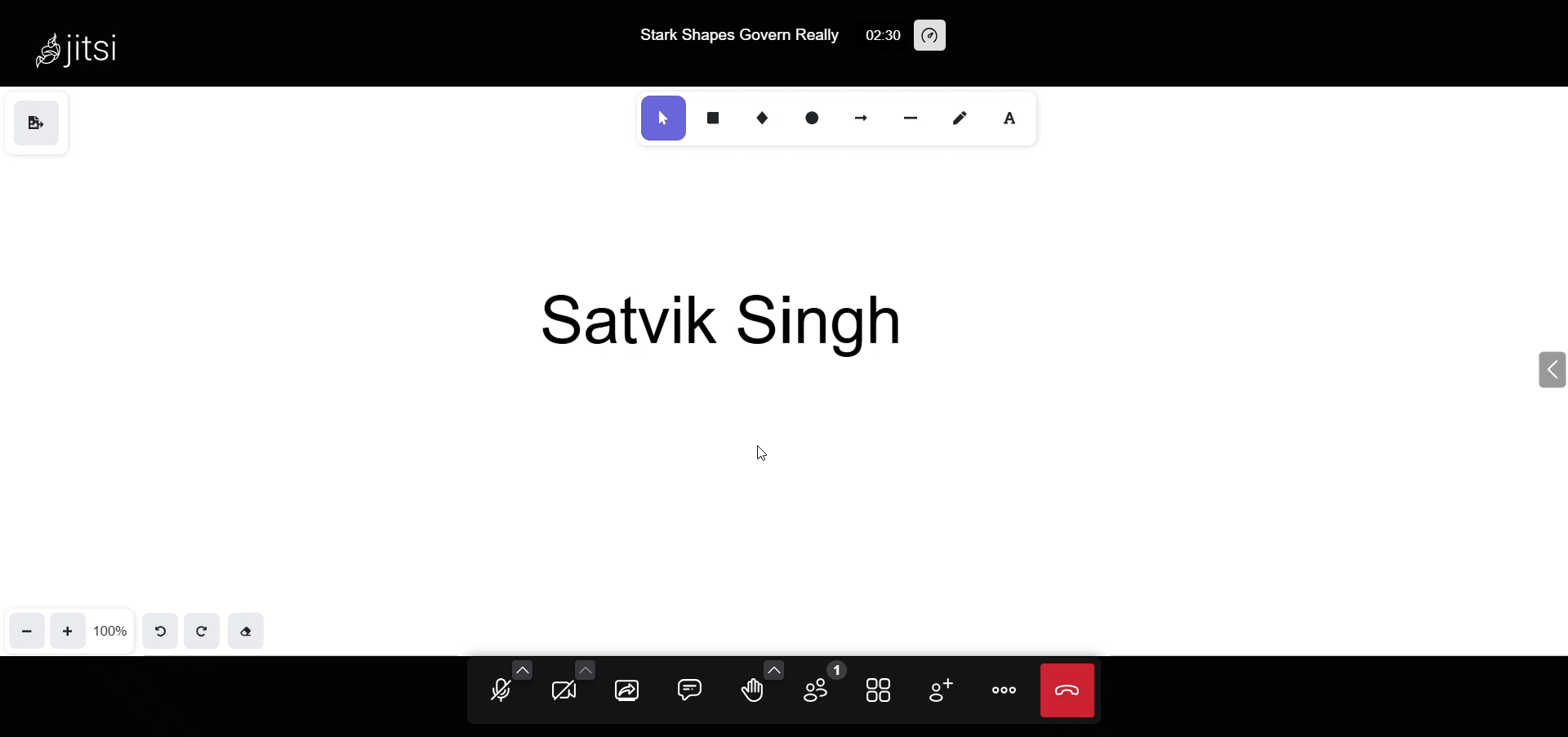 Image resolution: width=1568 pixels, height=737 pixels. What do you see at coordinates (500, 692) in the screenshot?
I see `microphone` at bounding box center [500, 692].